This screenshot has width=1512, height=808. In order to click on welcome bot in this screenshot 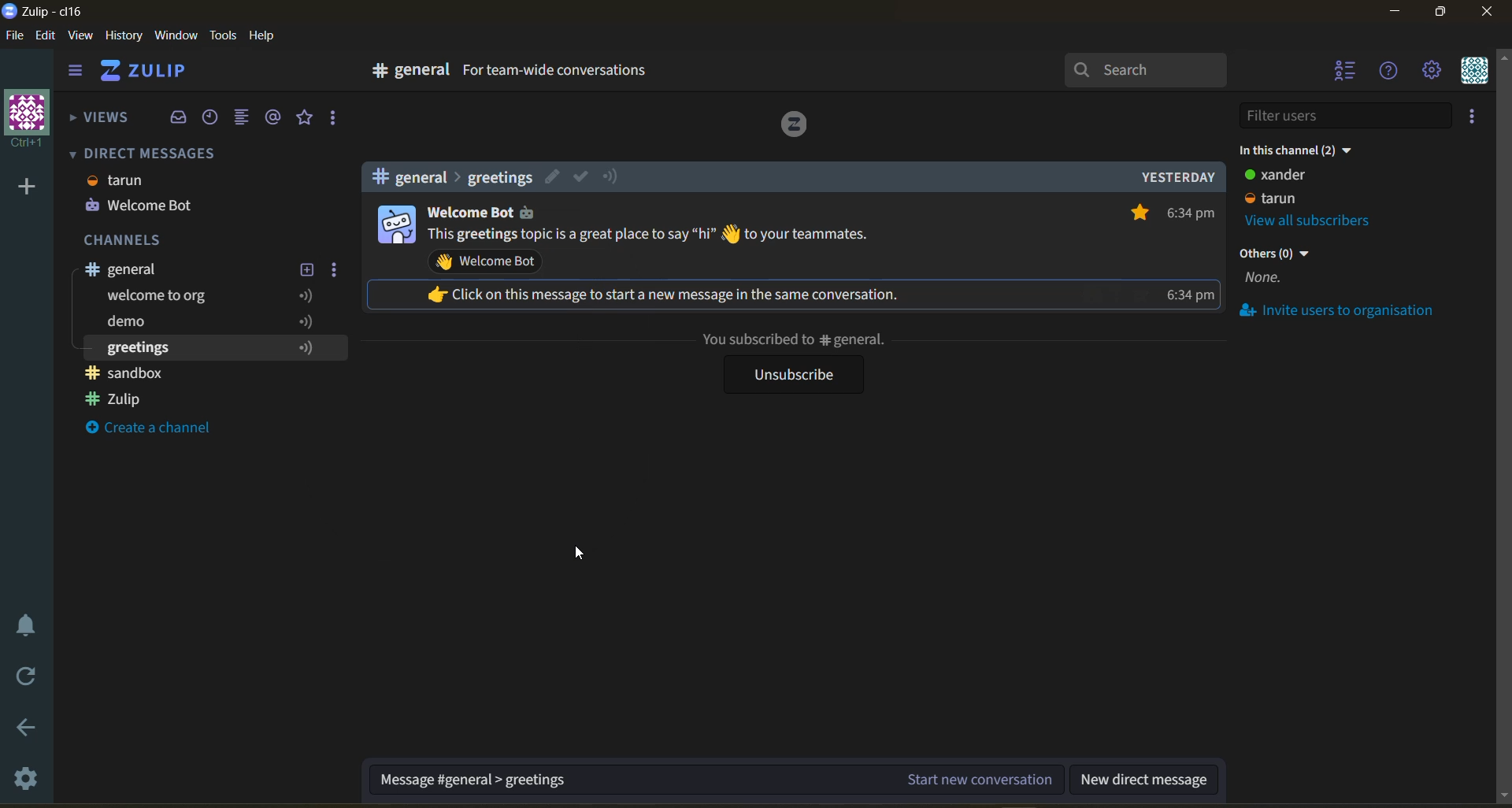, I will do `click(489, 263)`.